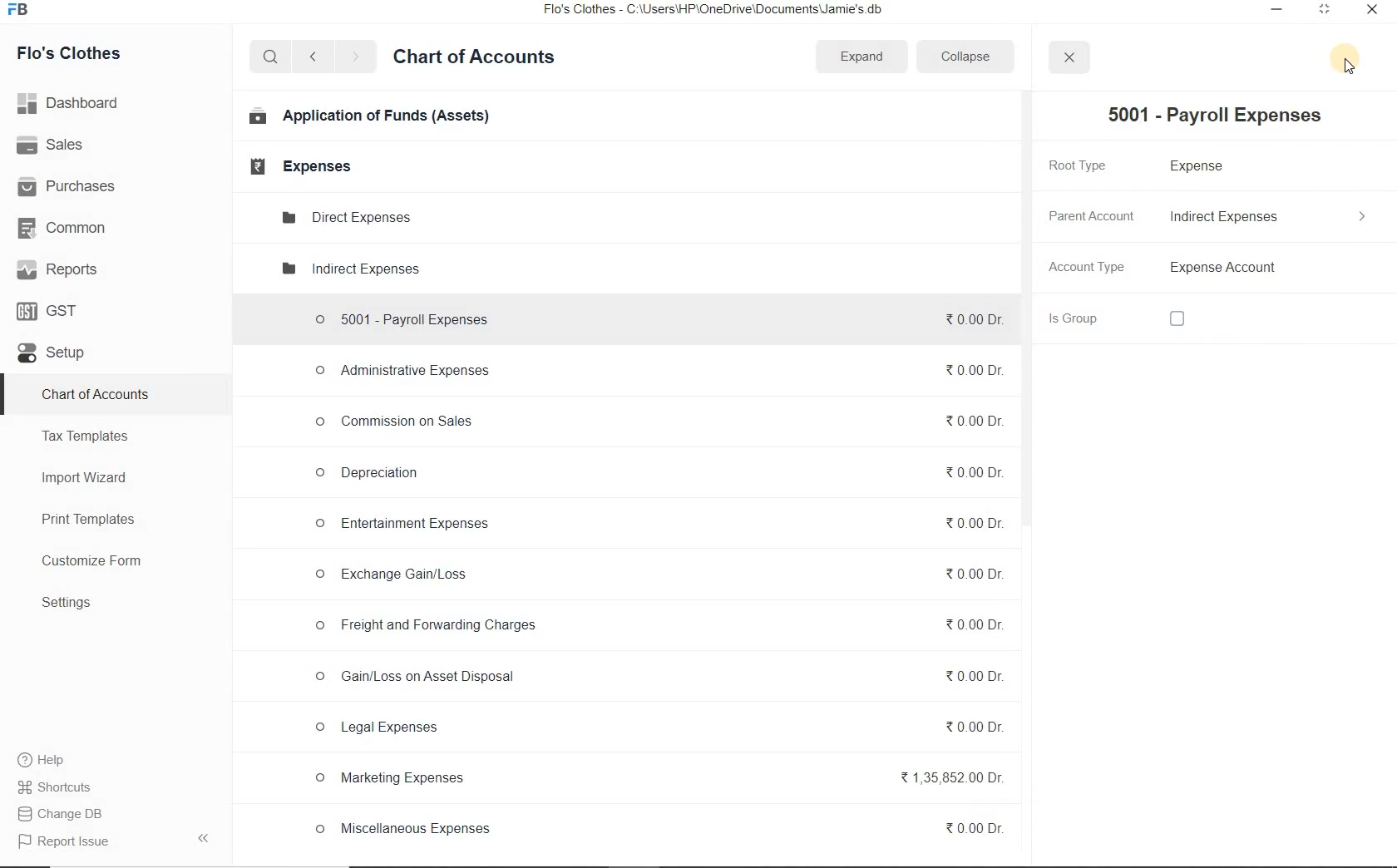 The height and width of the screenshot is (868, 1397). I want to click on Expand, so click(863, 55).